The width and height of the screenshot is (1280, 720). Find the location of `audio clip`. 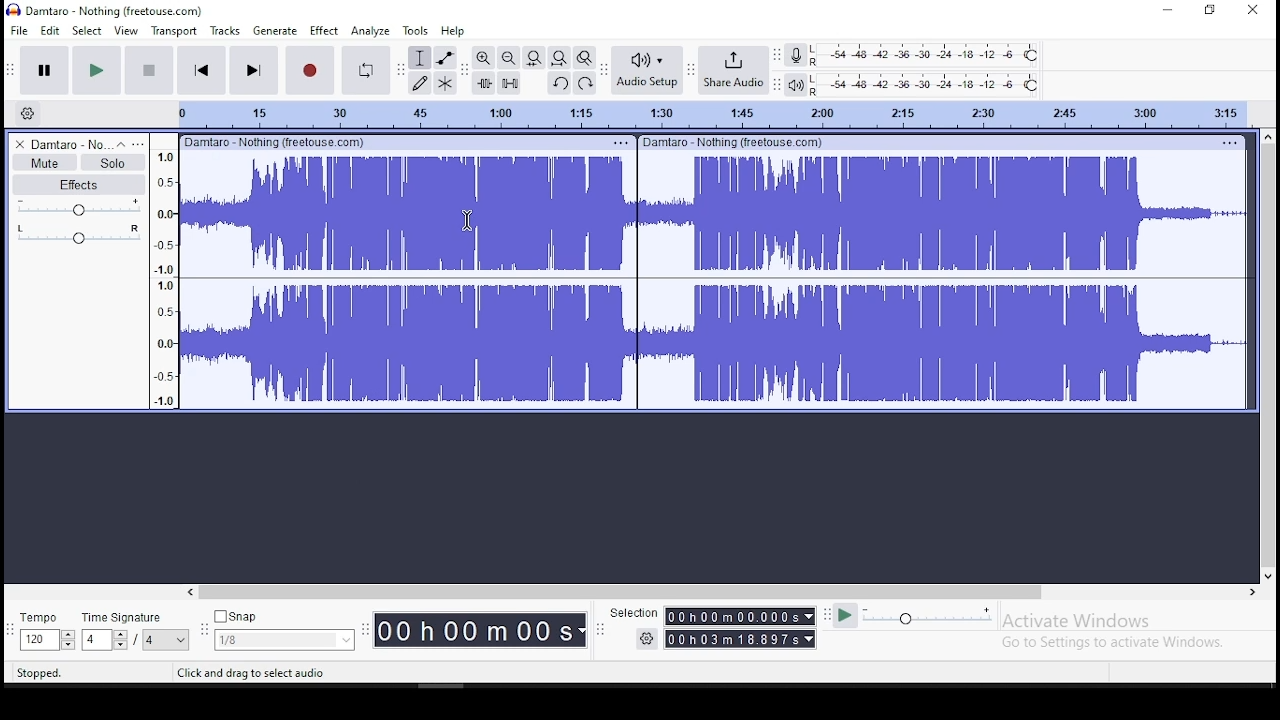

audio clip is located at coordinates (943, 281).